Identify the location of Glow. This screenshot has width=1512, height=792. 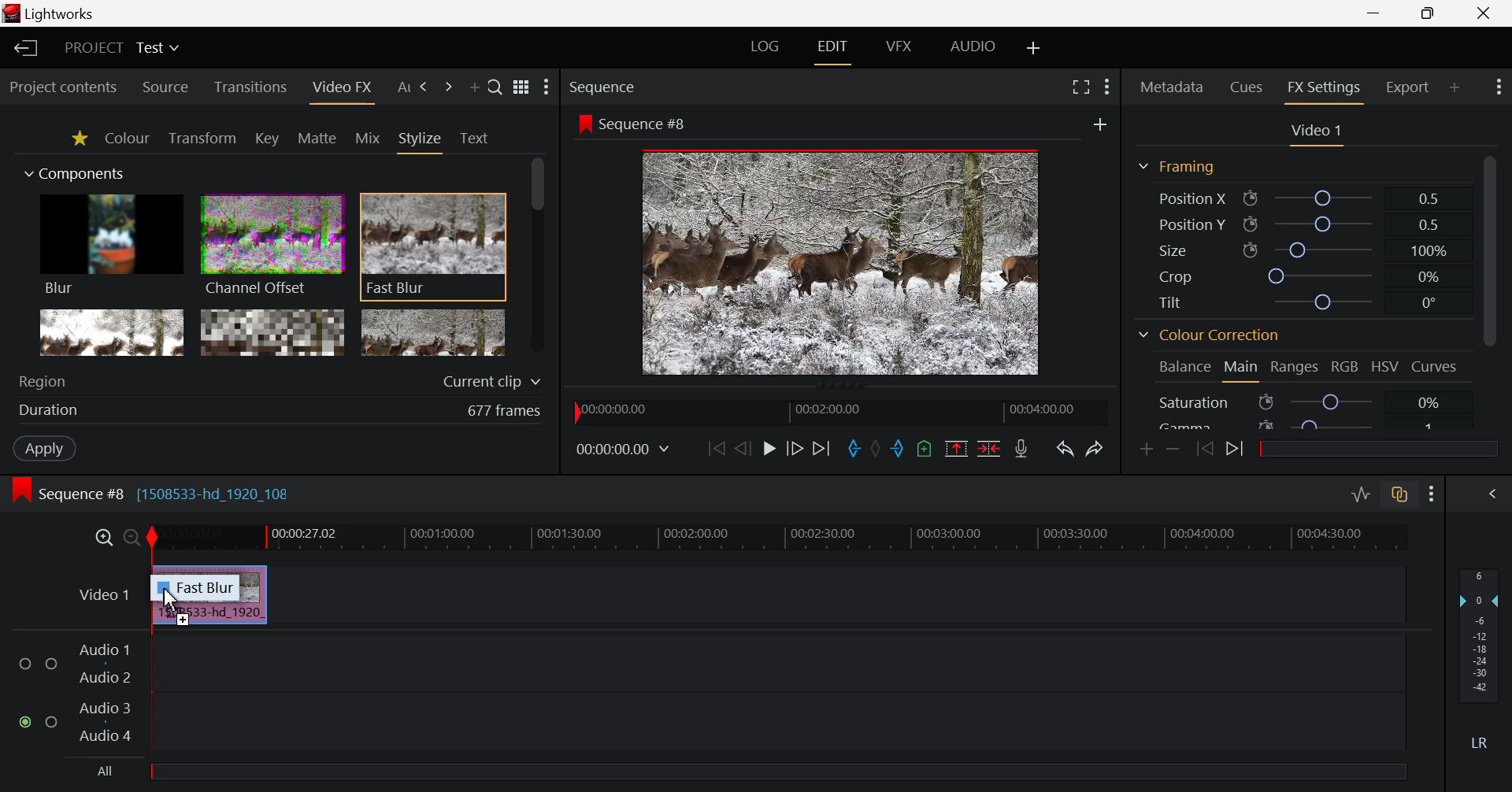
(113, 335).